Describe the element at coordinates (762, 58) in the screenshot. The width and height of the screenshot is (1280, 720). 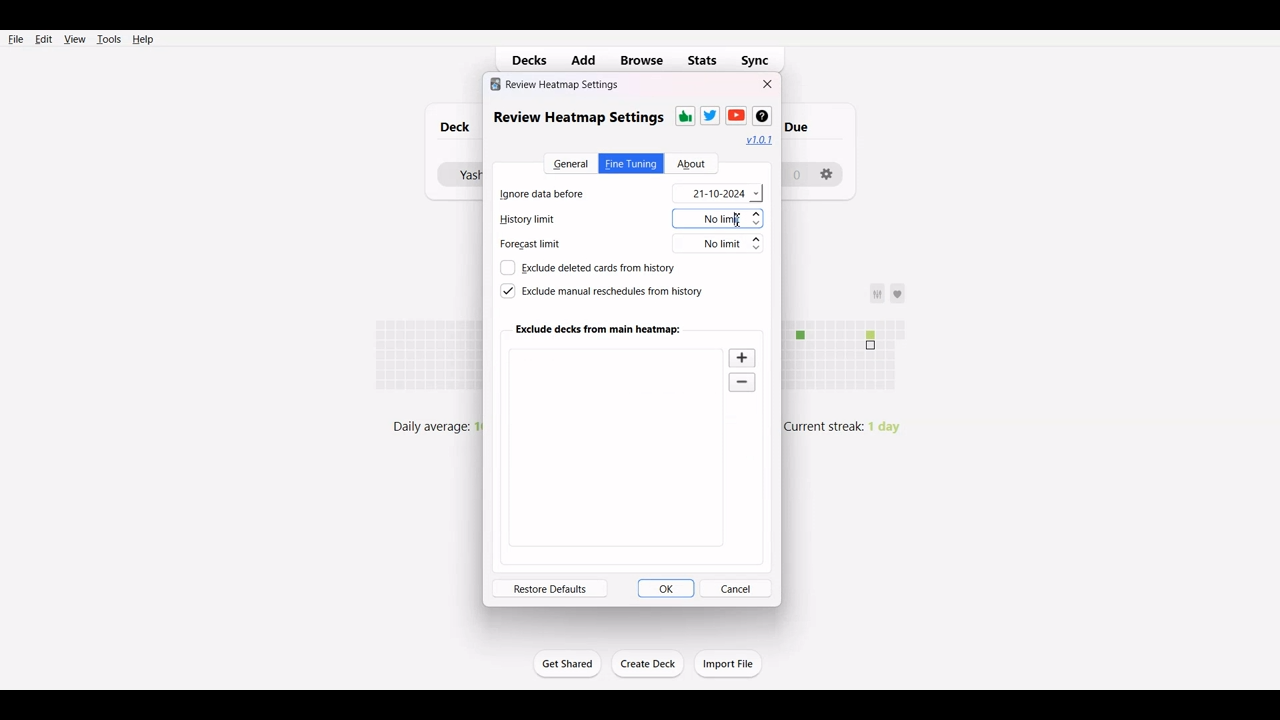
I see `Sync` at that location.